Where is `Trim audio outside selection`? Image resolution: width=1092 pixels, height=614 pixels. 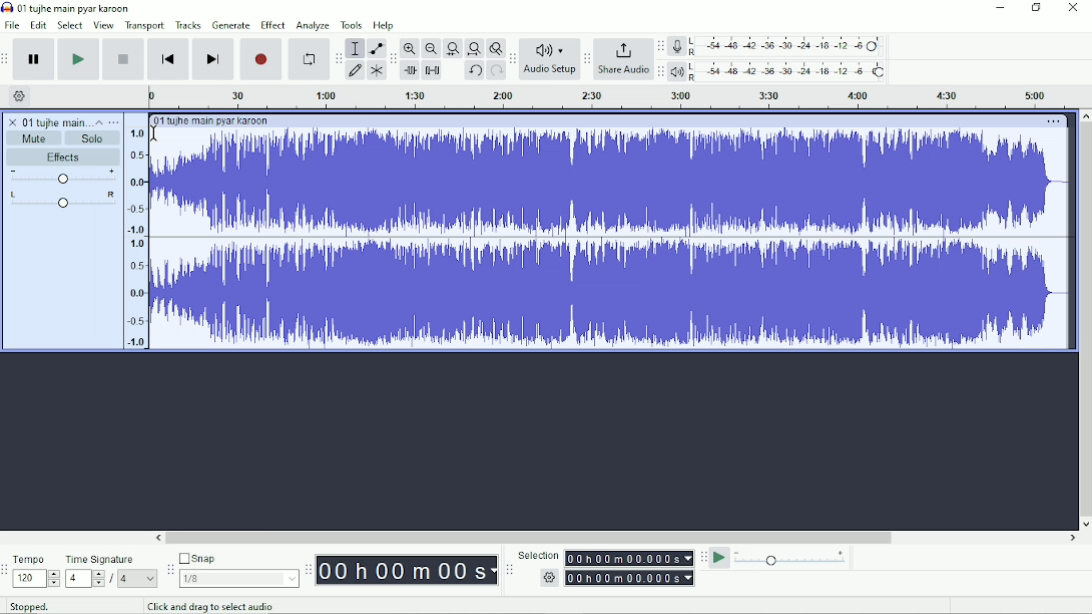 Trim audio outside selection is located at coordinates (412, 71).